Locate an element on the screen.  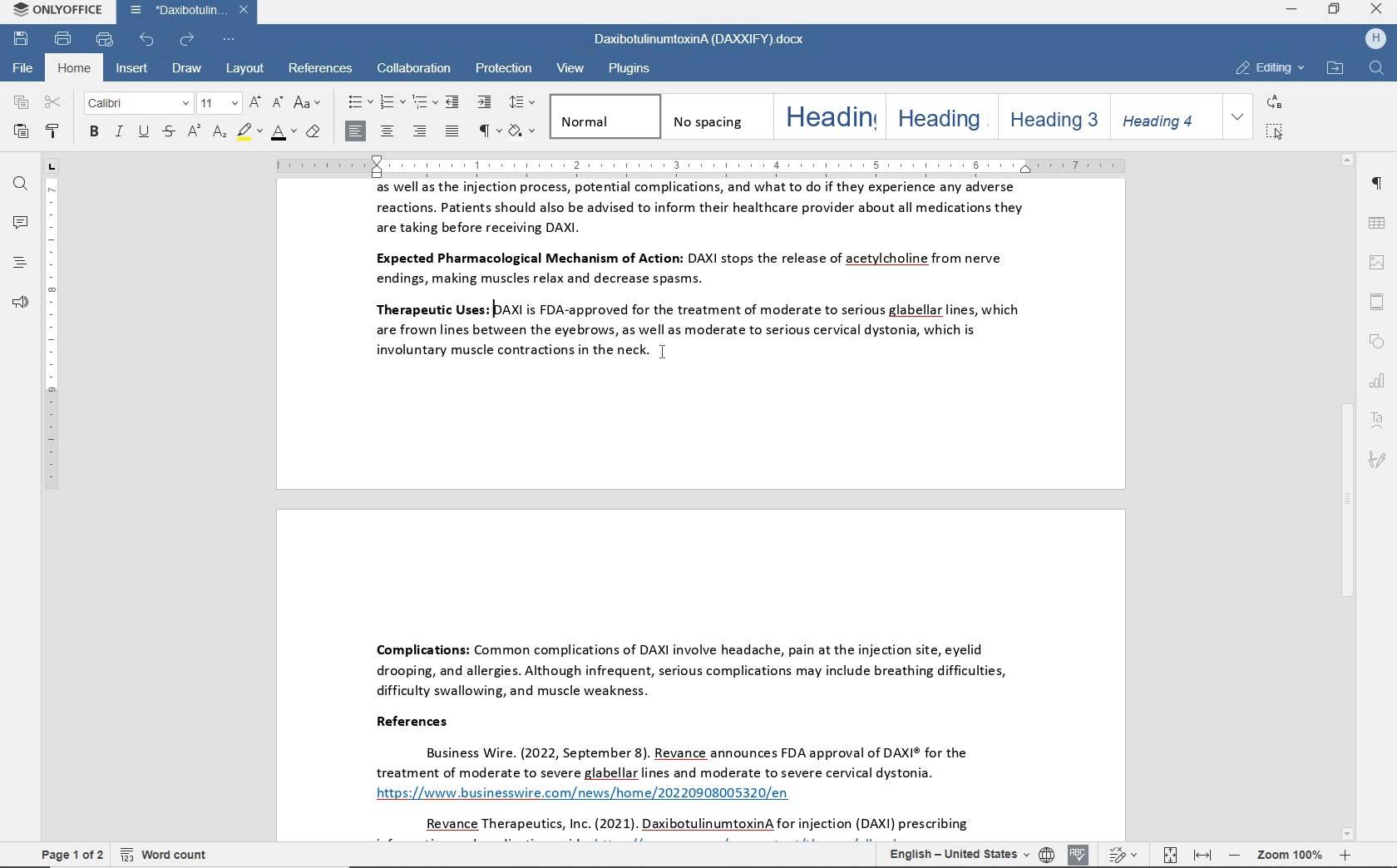
superscript is located at coordinates (193, 133).